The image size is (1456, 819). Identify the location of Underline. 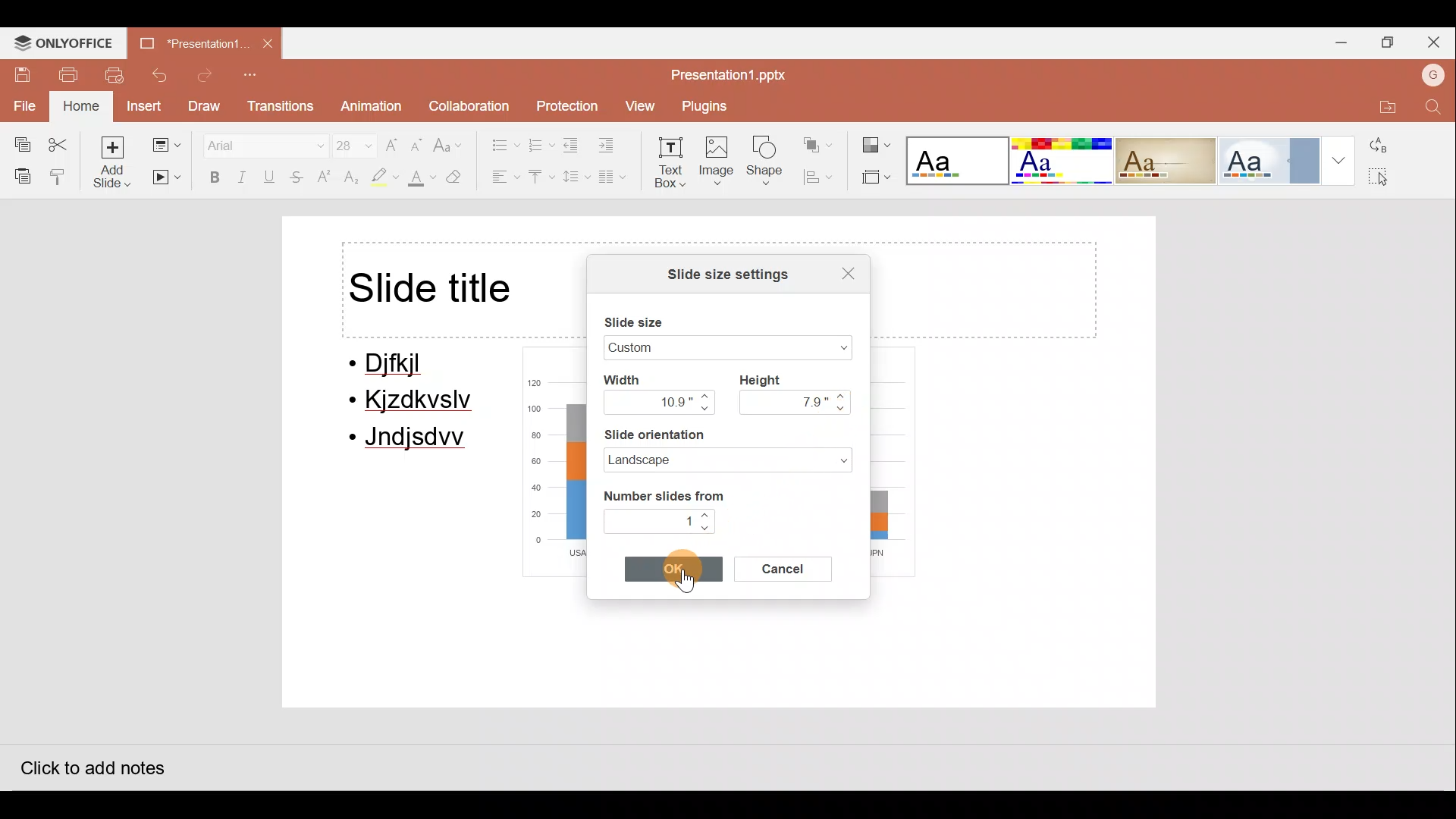
(272, 177).